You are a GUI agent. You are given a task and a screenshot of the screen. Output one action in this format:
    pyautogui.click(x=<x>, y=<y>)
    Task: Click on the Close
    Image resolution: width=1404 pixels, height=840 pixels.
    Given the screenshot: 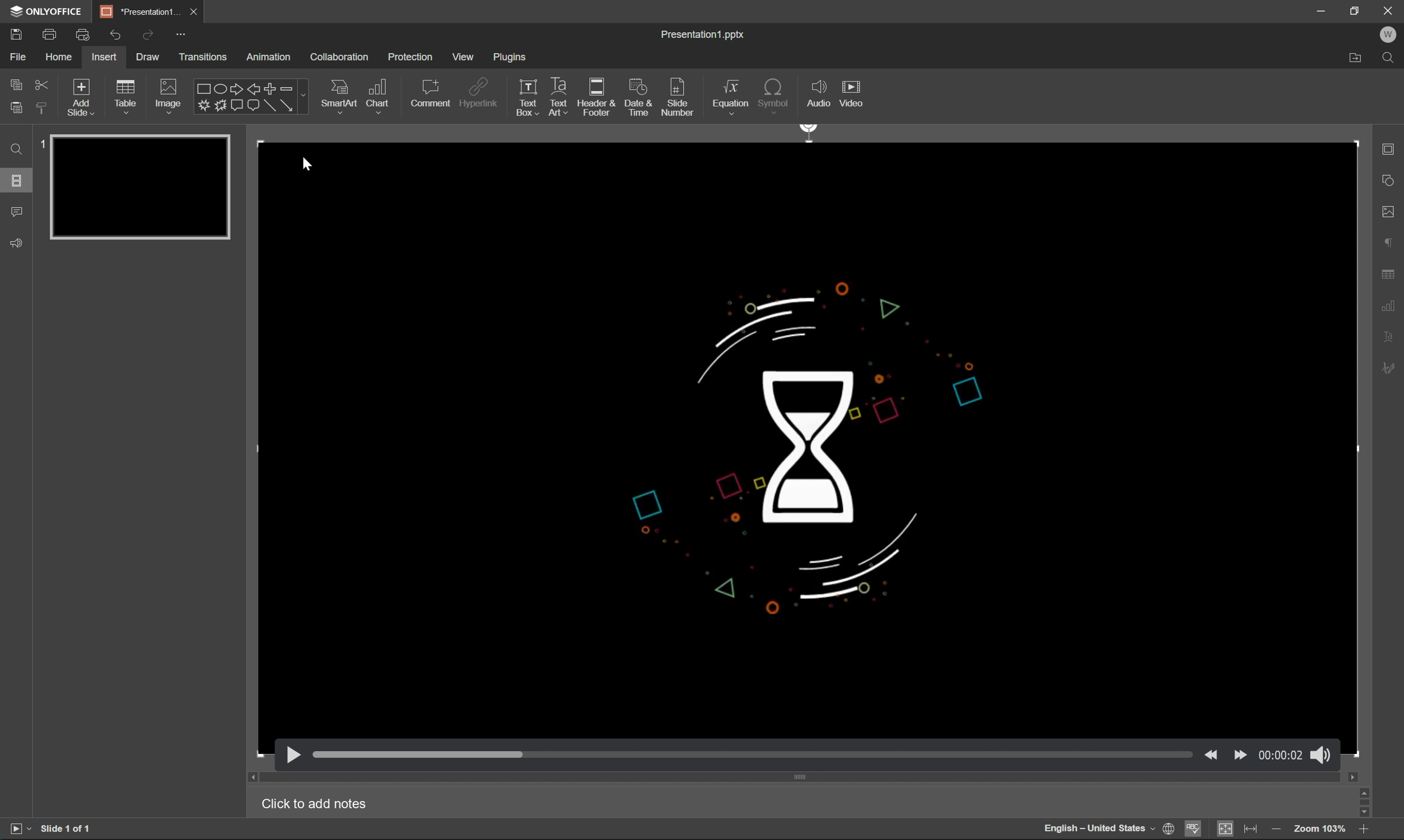 What is the action you would take?
    pyautogui.click(x=1388, y=10)
    